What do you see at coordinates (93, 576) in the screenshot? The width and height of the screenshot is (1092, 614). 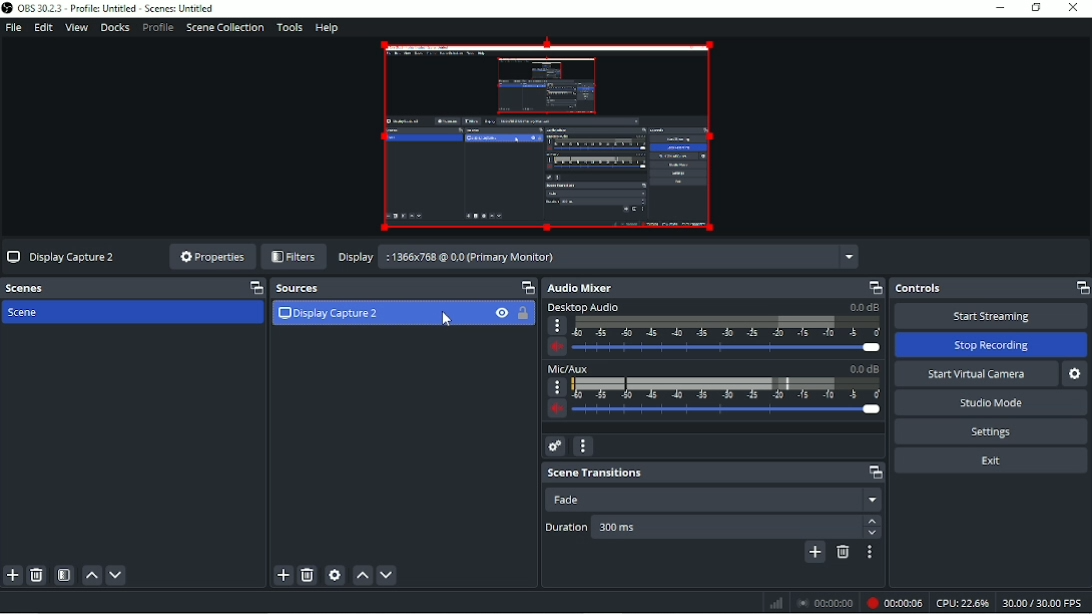 I see `Move scene up` at bounding box center [93, 576].